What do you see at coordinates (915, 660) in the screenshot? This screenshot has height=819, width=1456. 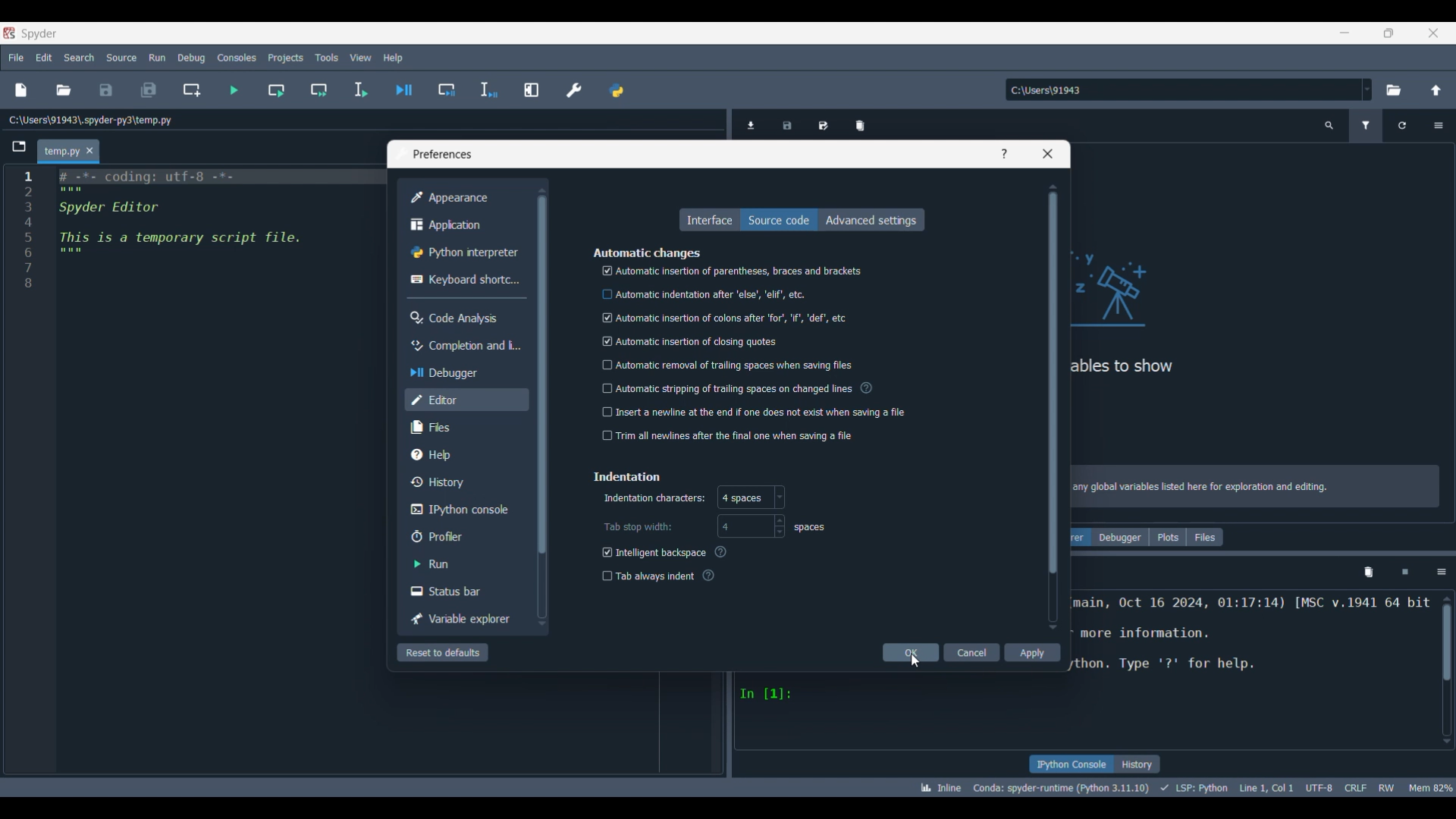 I see `Cursor clicking to save changes` at bounding box center [915, 660].